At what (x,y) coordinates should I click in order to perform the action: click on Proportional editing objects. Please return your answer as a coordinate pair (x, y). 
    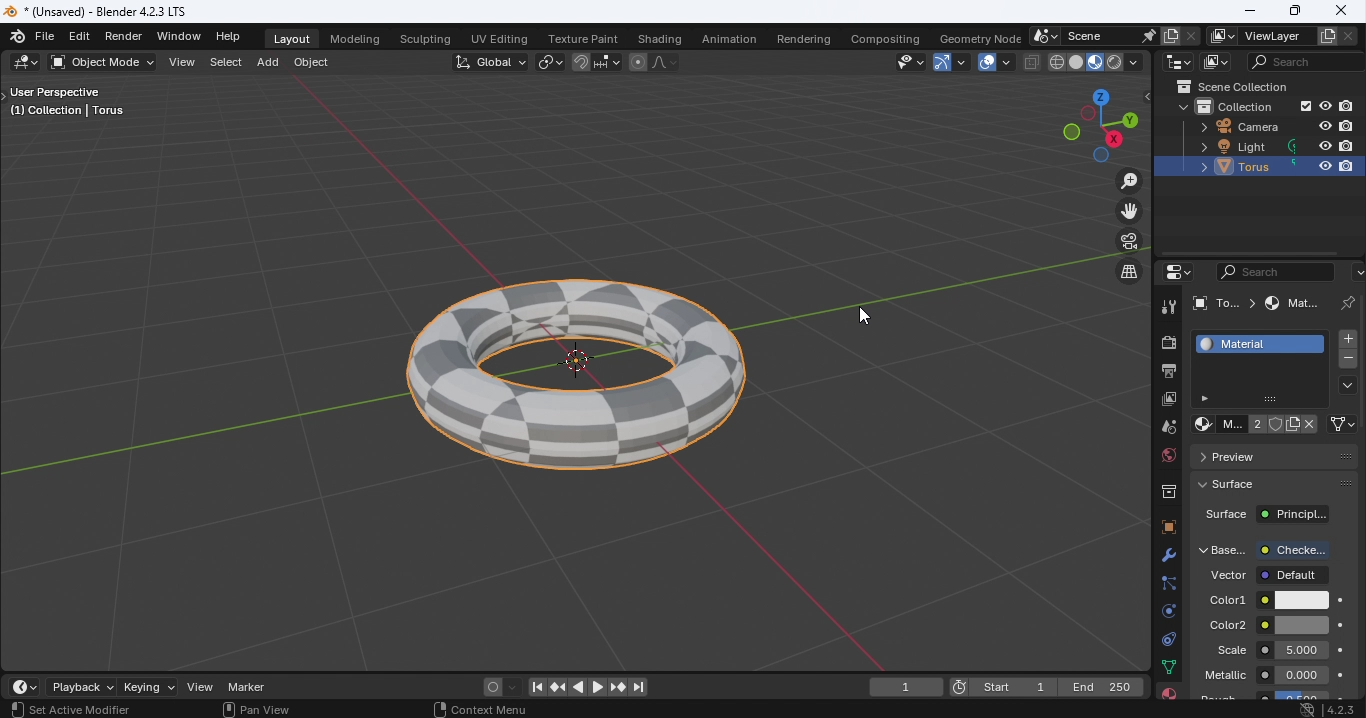
    Looking at the image, I should click on (638, 62).